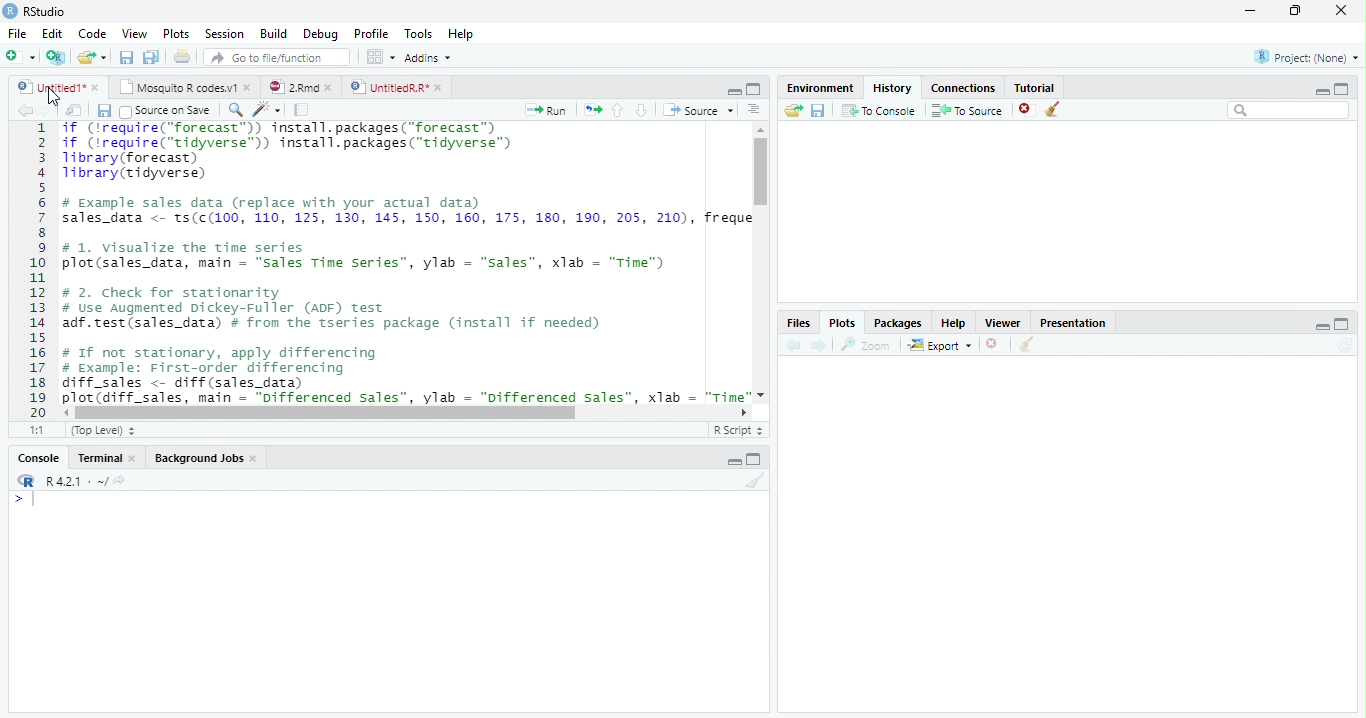 The image size is (1366, 718). Describe the element at coordinates (53, 33) in the screenshot. I see `Edit` at that location.